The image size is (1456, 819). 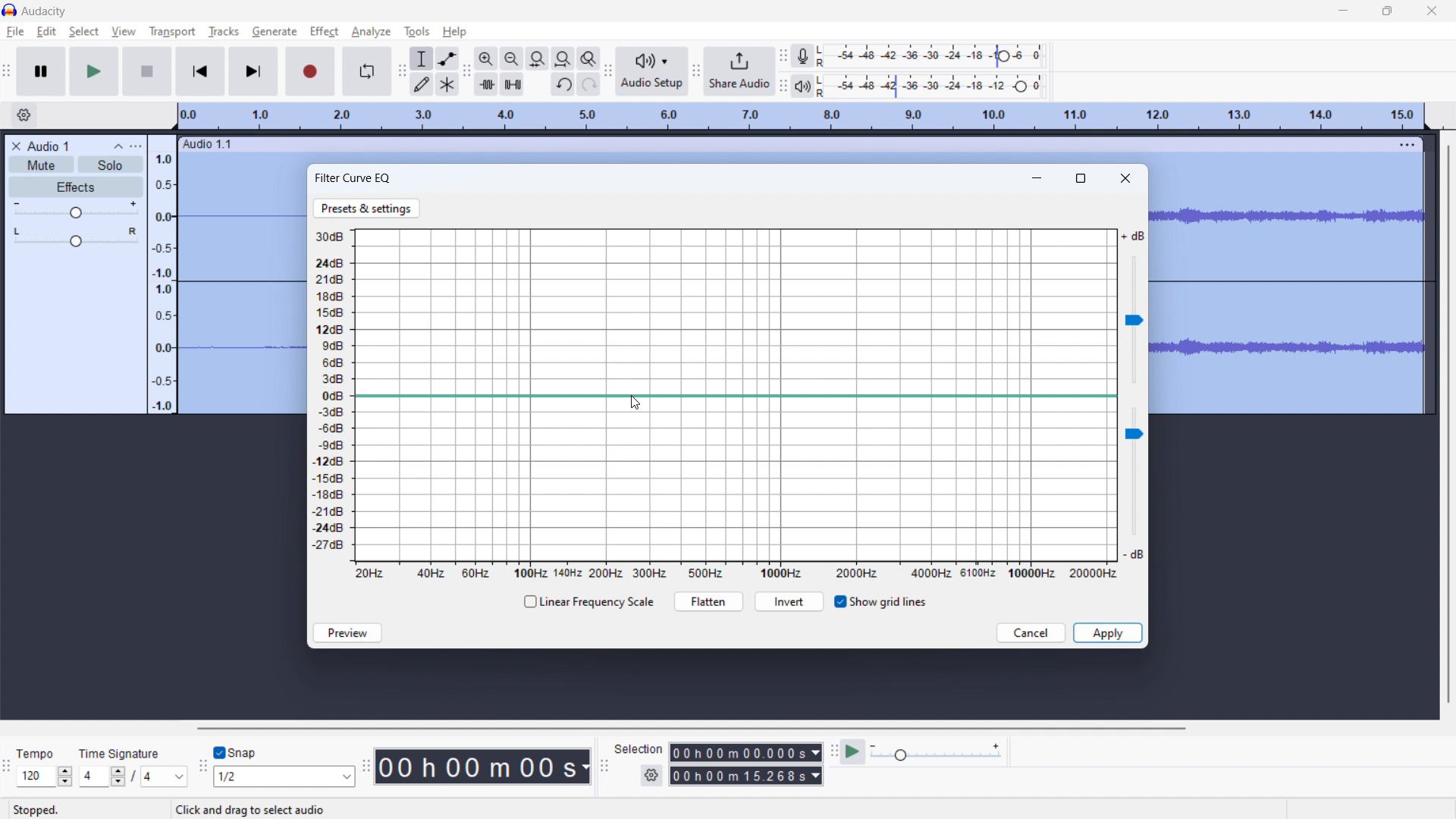 I want to click on 00h00m15.268s(end time), so click(x=745, y=776).